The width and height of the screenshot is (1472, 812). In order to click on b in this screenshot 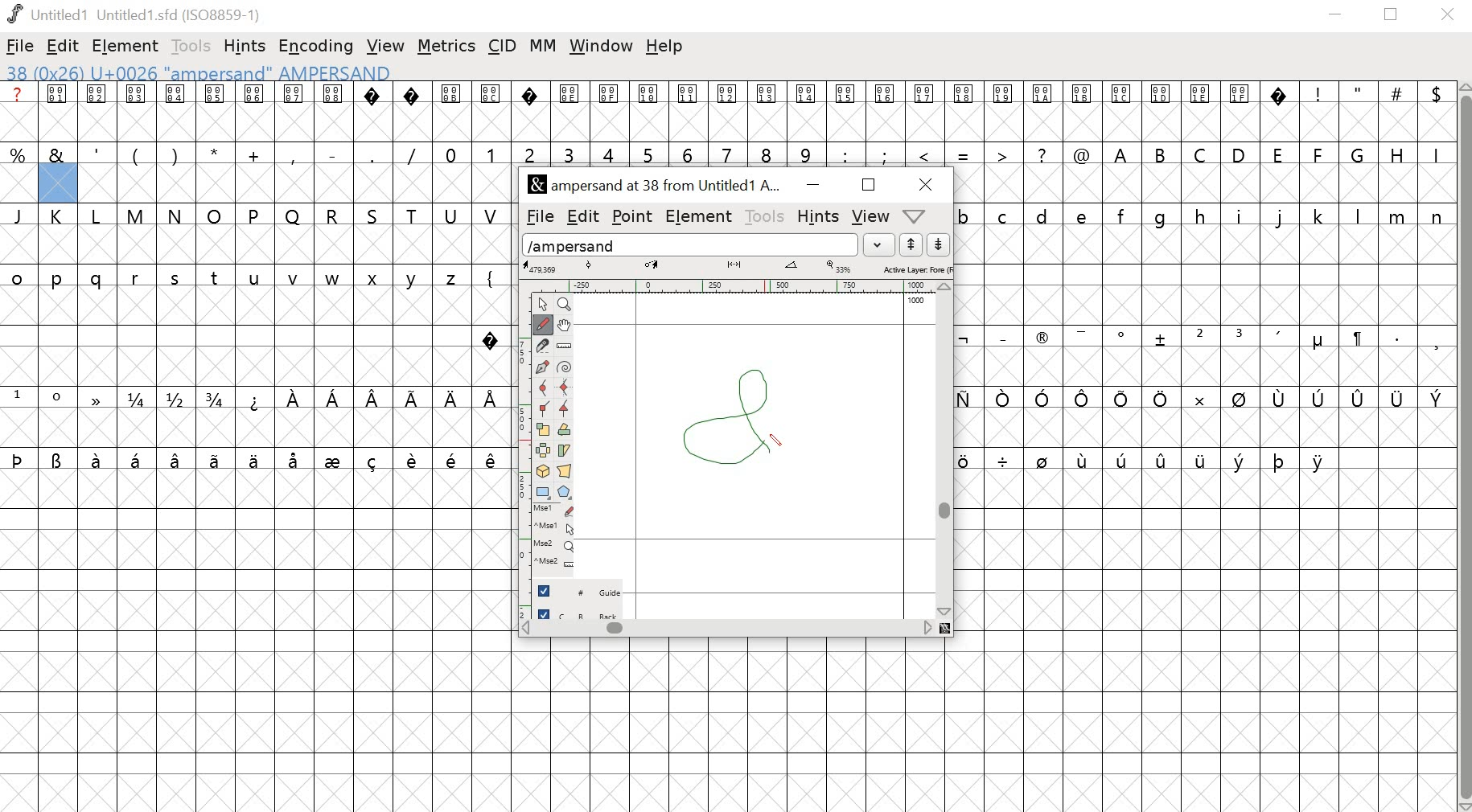, I will do `click(966, 215)`.